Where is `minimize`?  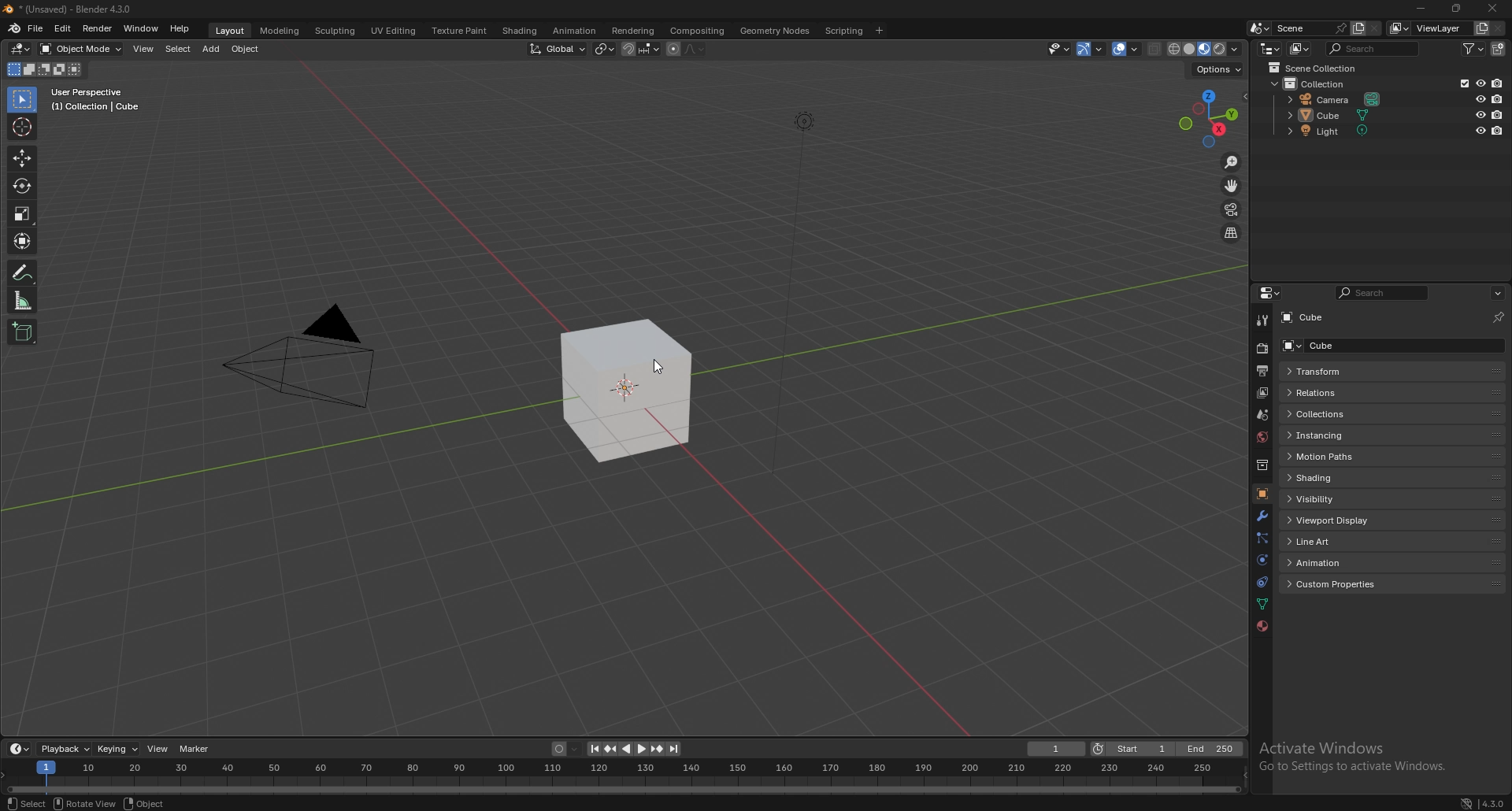
minimize is located at coordinates (1425, 9).